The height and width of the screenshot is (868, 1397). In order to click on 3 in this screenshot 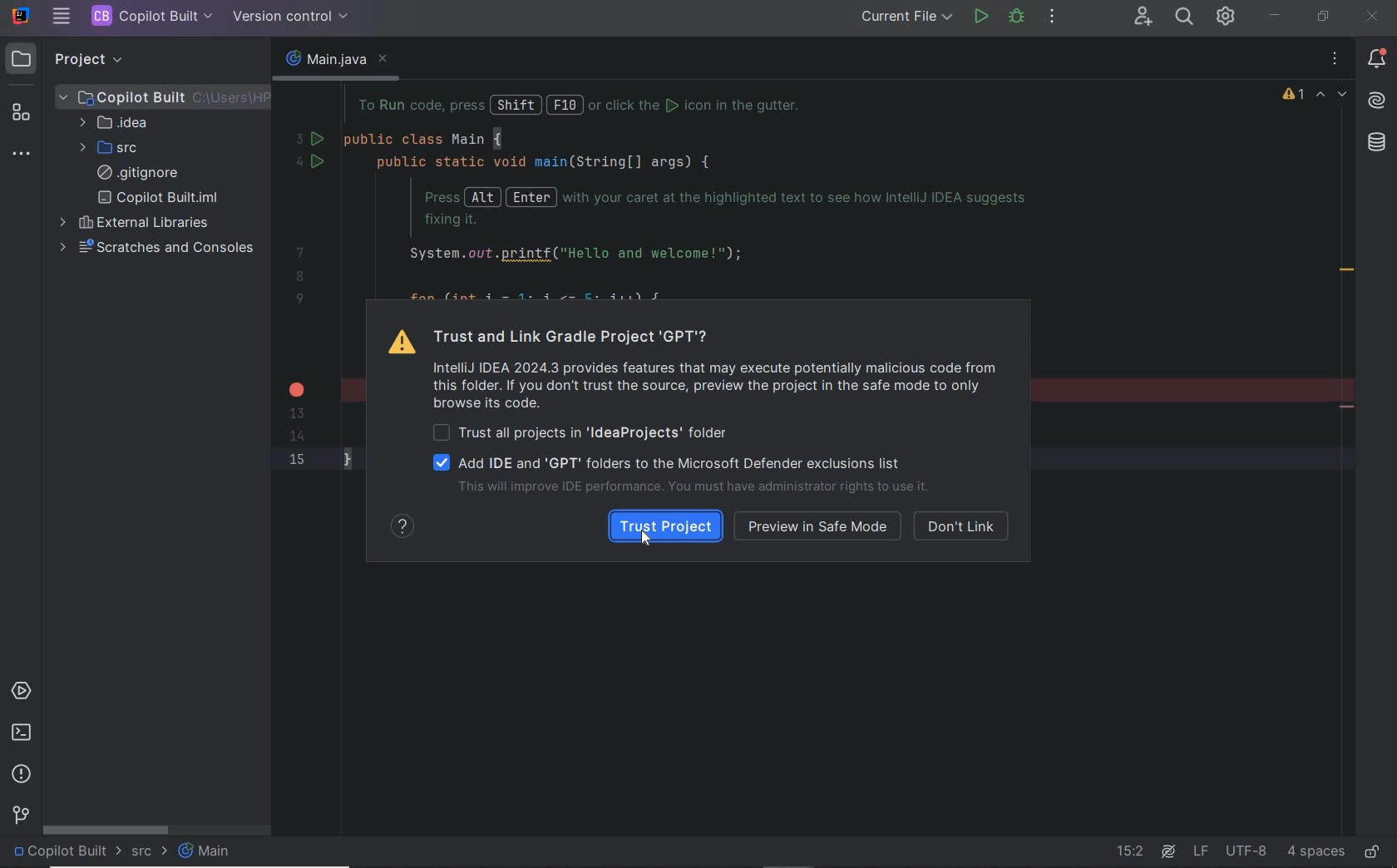, I will do `click(300, 137)`.